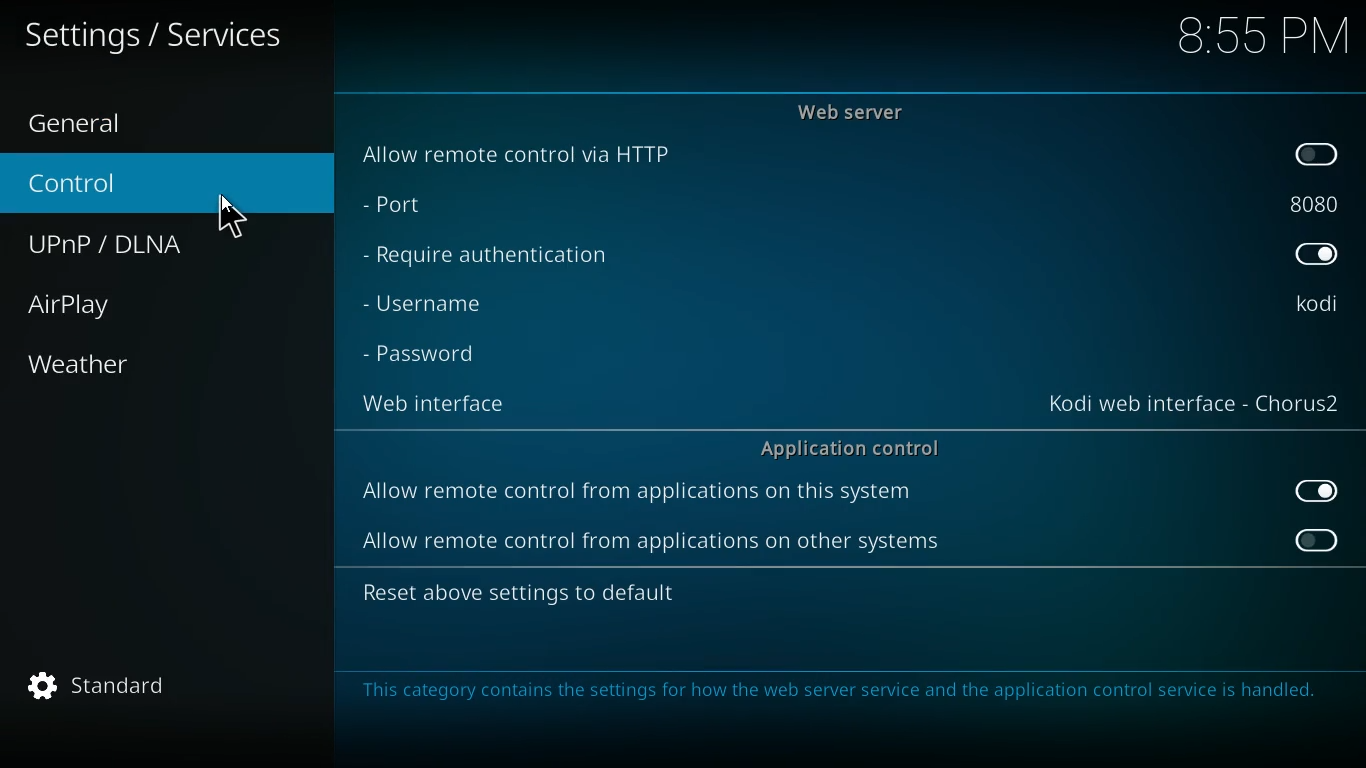 This screenshot has width=1366, height=768. What do you see at coordinates (82, 364) in the screenshot?
I see `Weather` at bounding box center [82, 364].